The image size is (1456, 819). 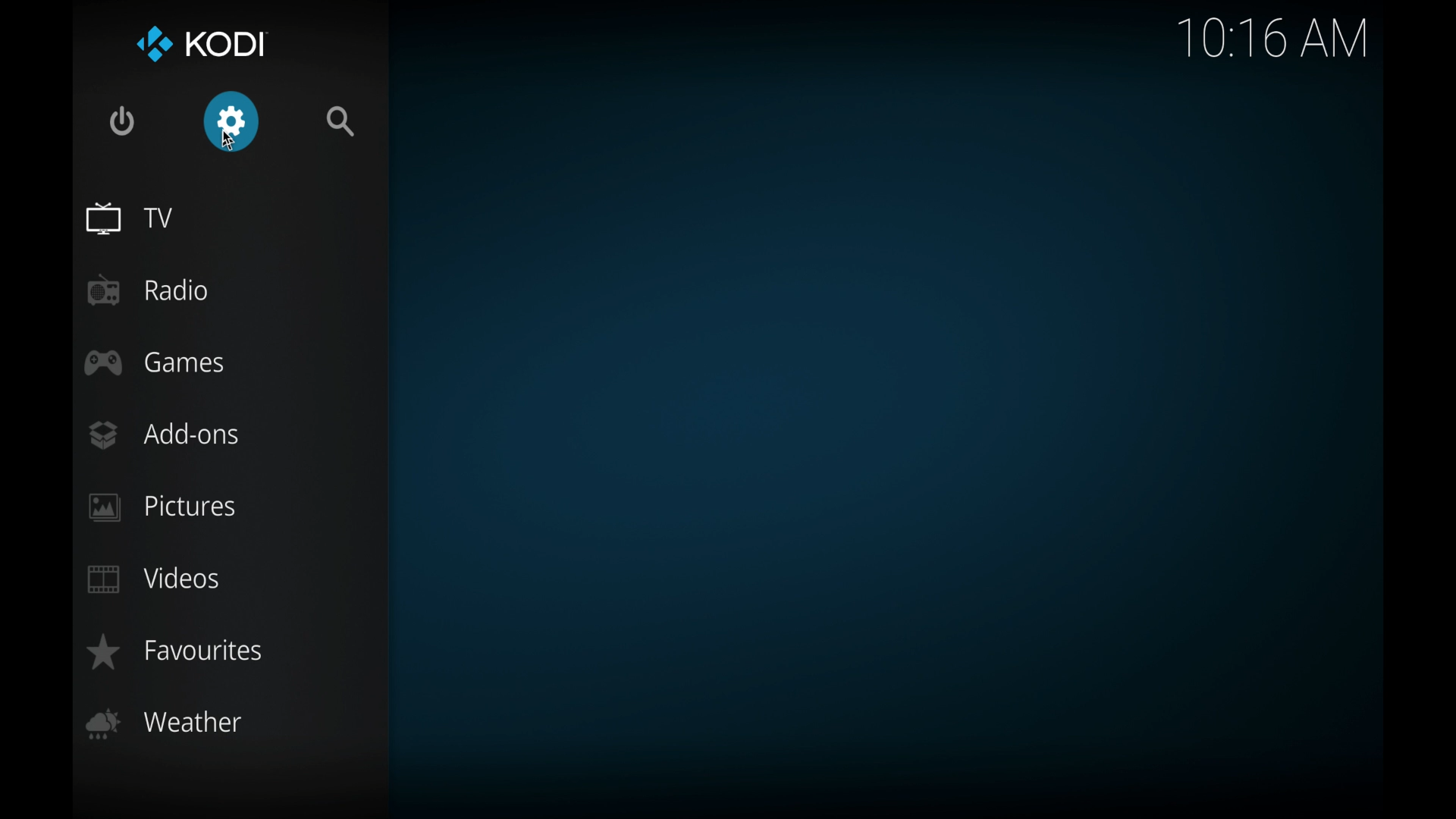 What do you see at coordinates (155, 362) in the screenshot?
I see `games` at bounding box center [155, 362].